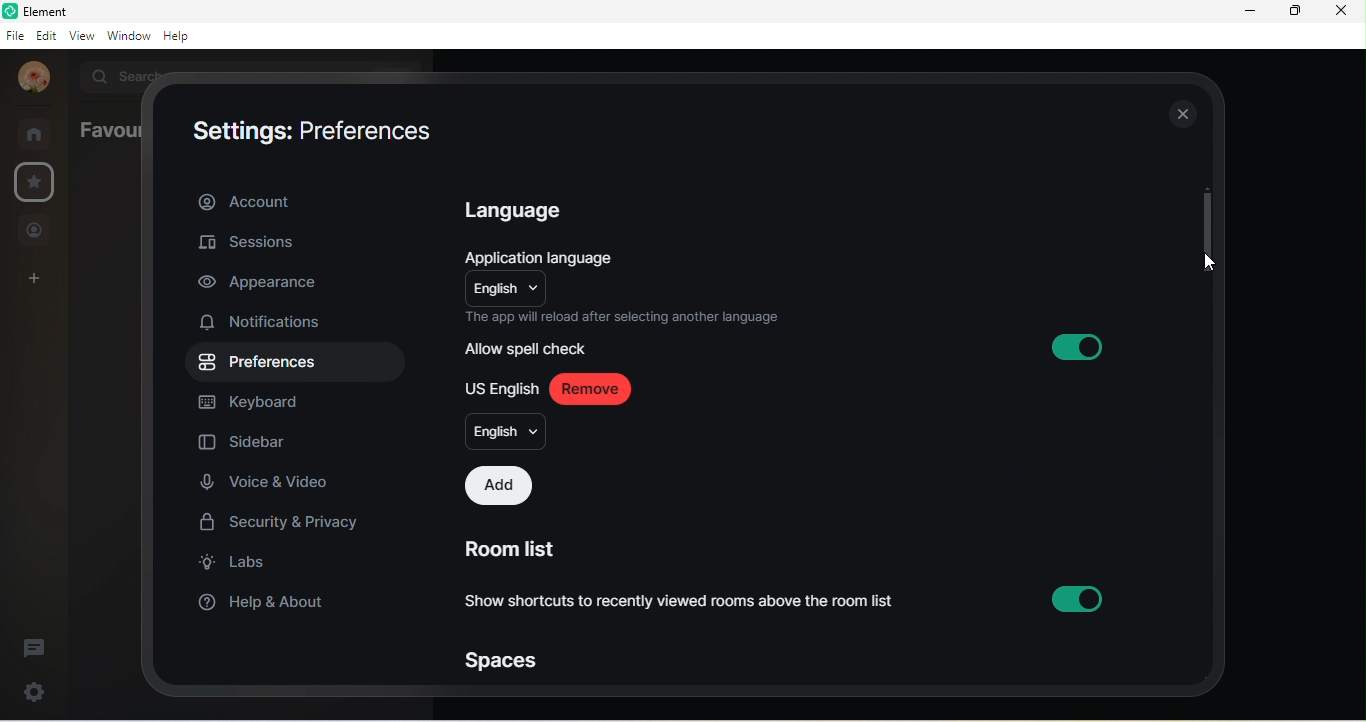 This screenshot has width=1366, height=722. What do you see at coordinates (183, 38) in the screenshot?
I see `help` at bounding box center [183, 38].